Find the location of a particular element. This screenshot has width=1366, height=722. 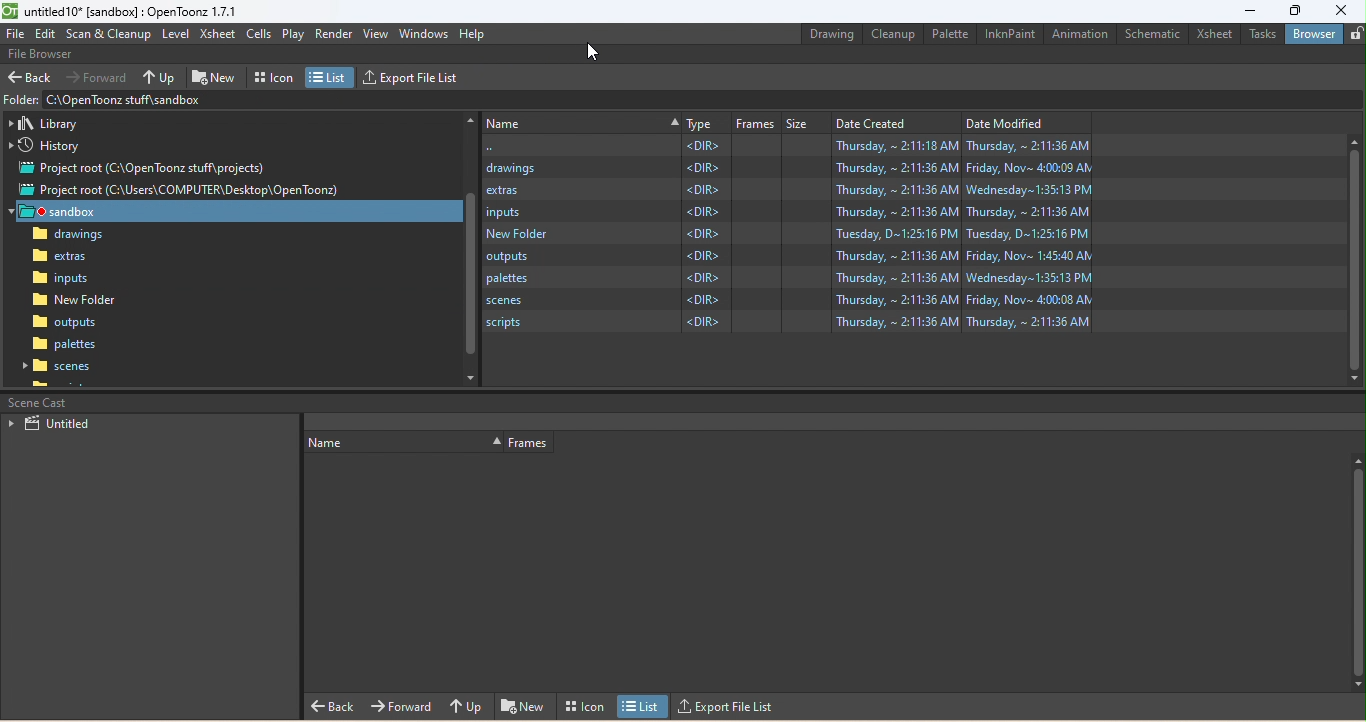

cursor is located at coordinates (597, 53).